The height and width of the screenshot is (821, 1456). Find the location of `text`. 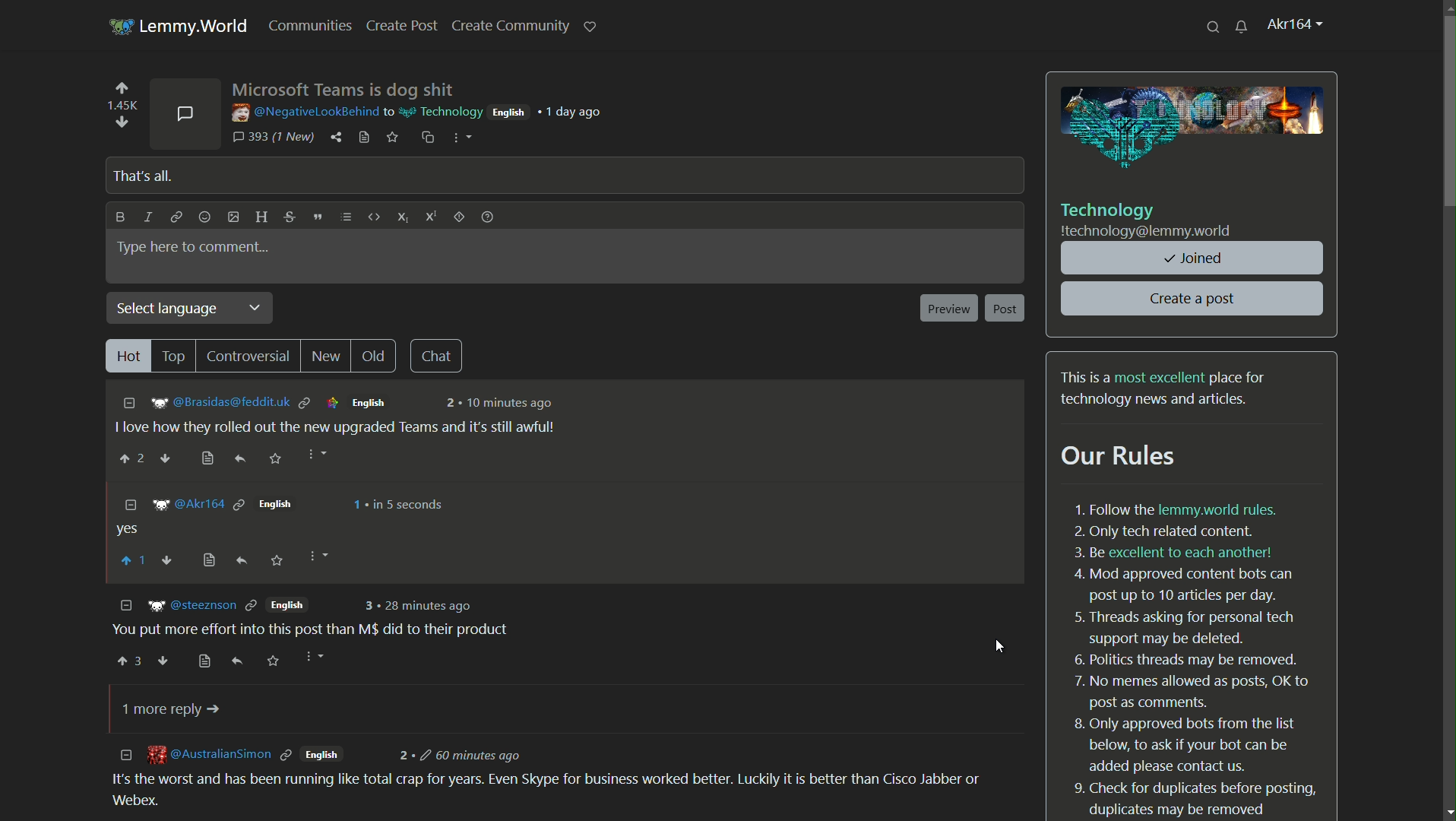

text is located at coordinates (1166, 388).